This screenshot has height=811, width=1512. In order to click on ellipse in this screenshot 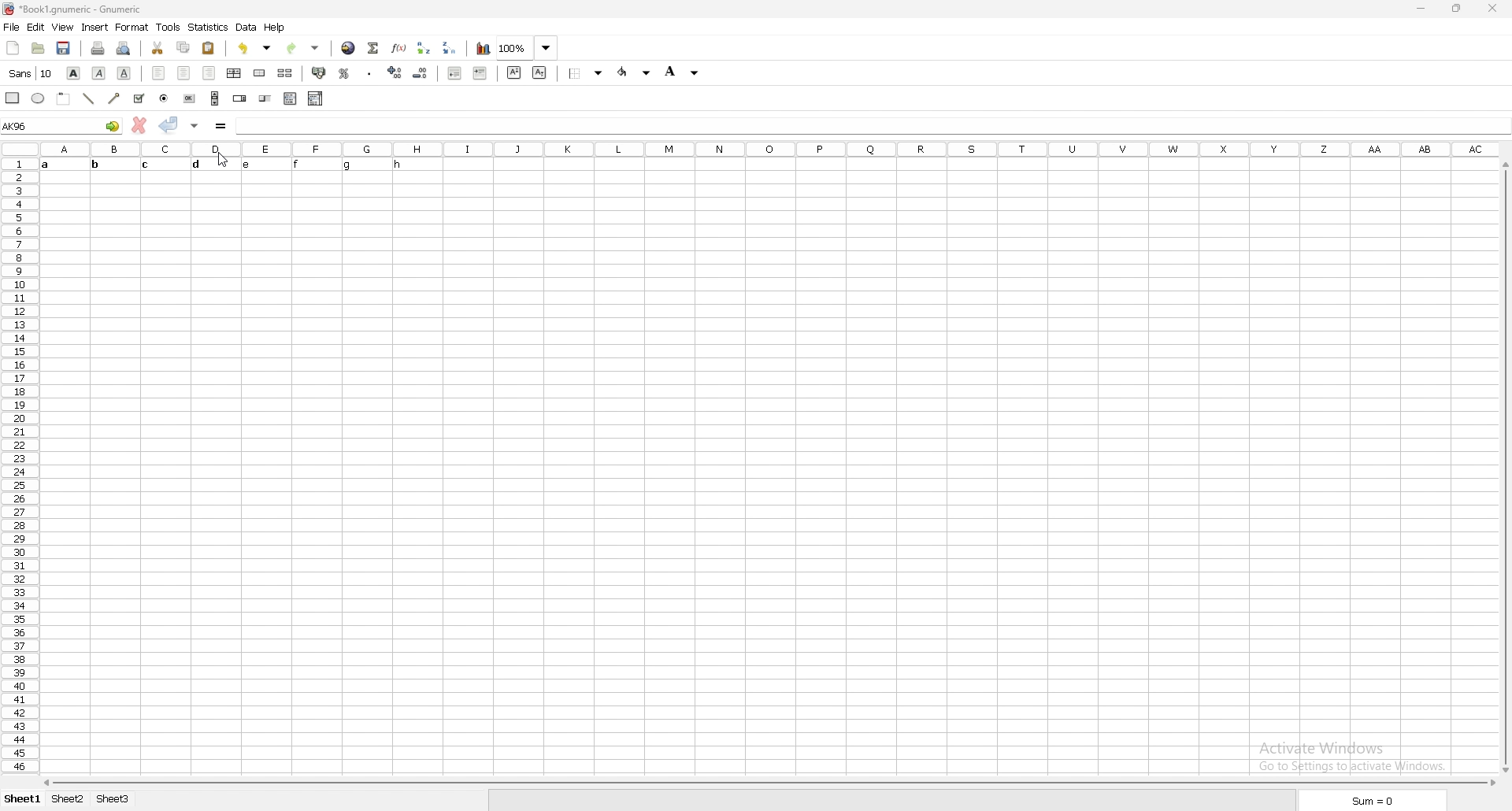, I will do `click(39, 98)`.